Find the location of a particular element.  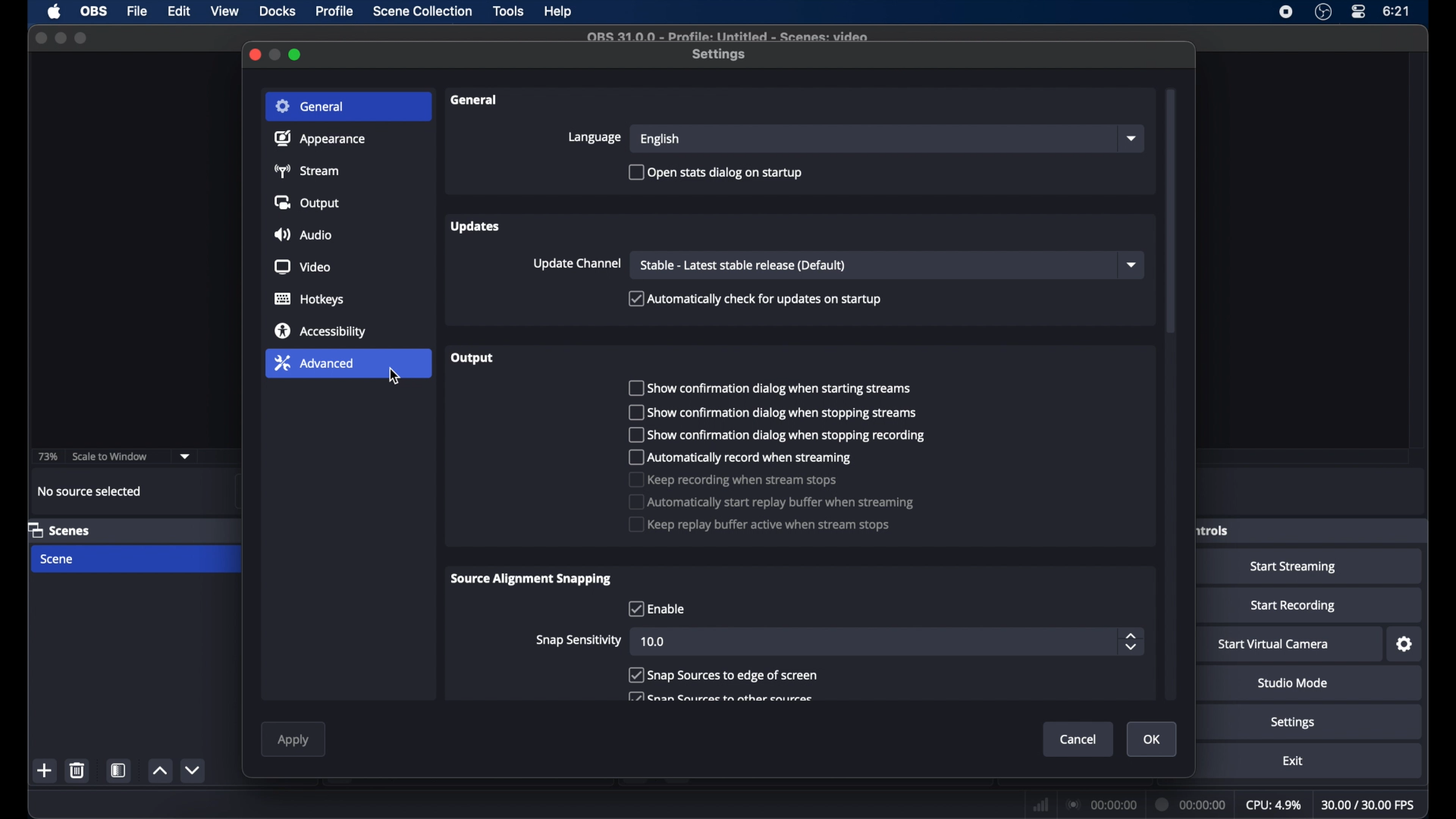

help is located at coordinates (561, 14).